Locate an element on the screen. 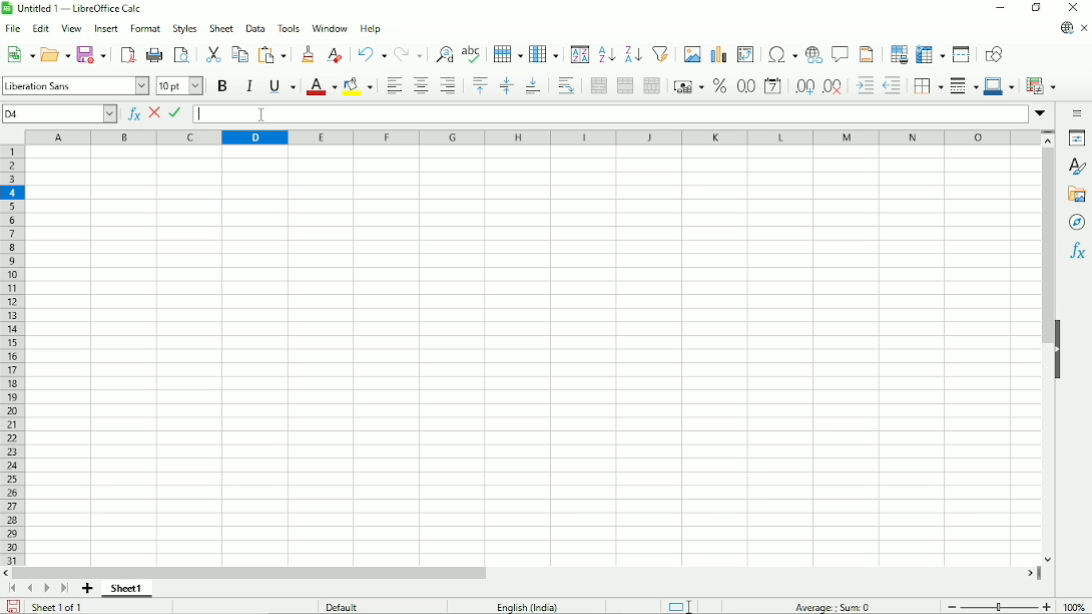  Column is located at coordinates (545, 53).